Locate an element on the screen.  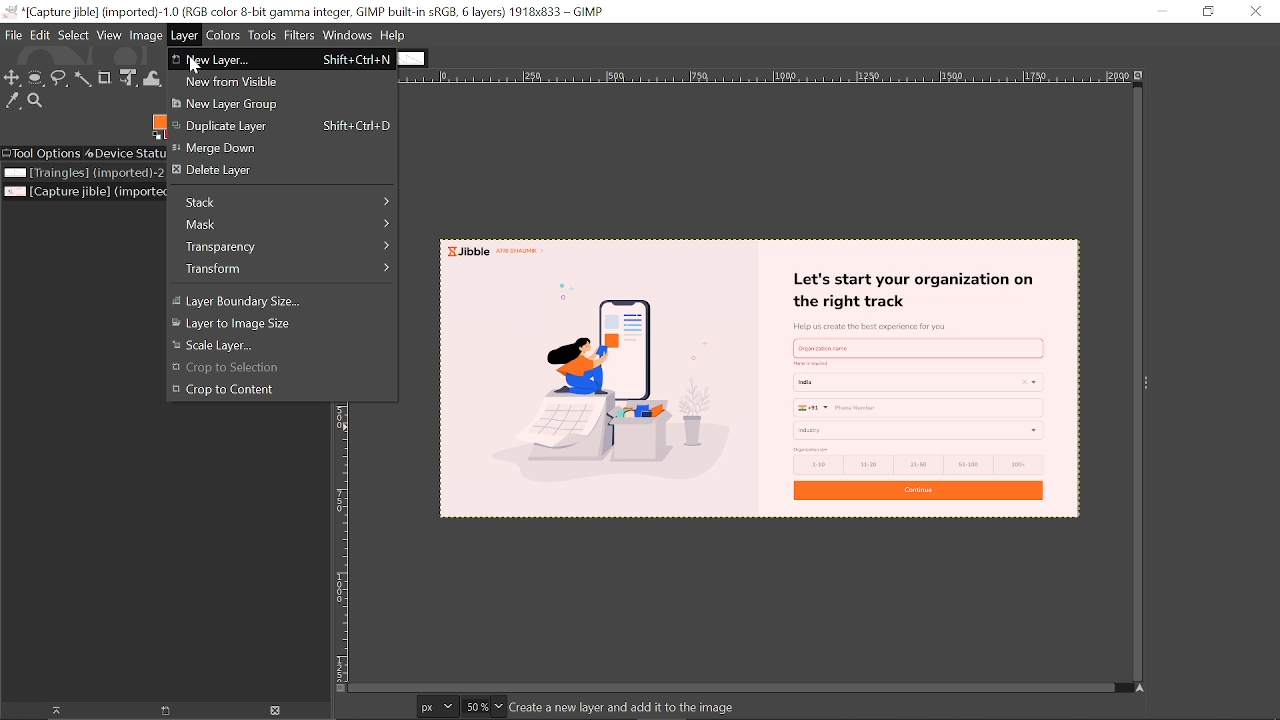
Horizontal label is located at coordinates (762, 79).